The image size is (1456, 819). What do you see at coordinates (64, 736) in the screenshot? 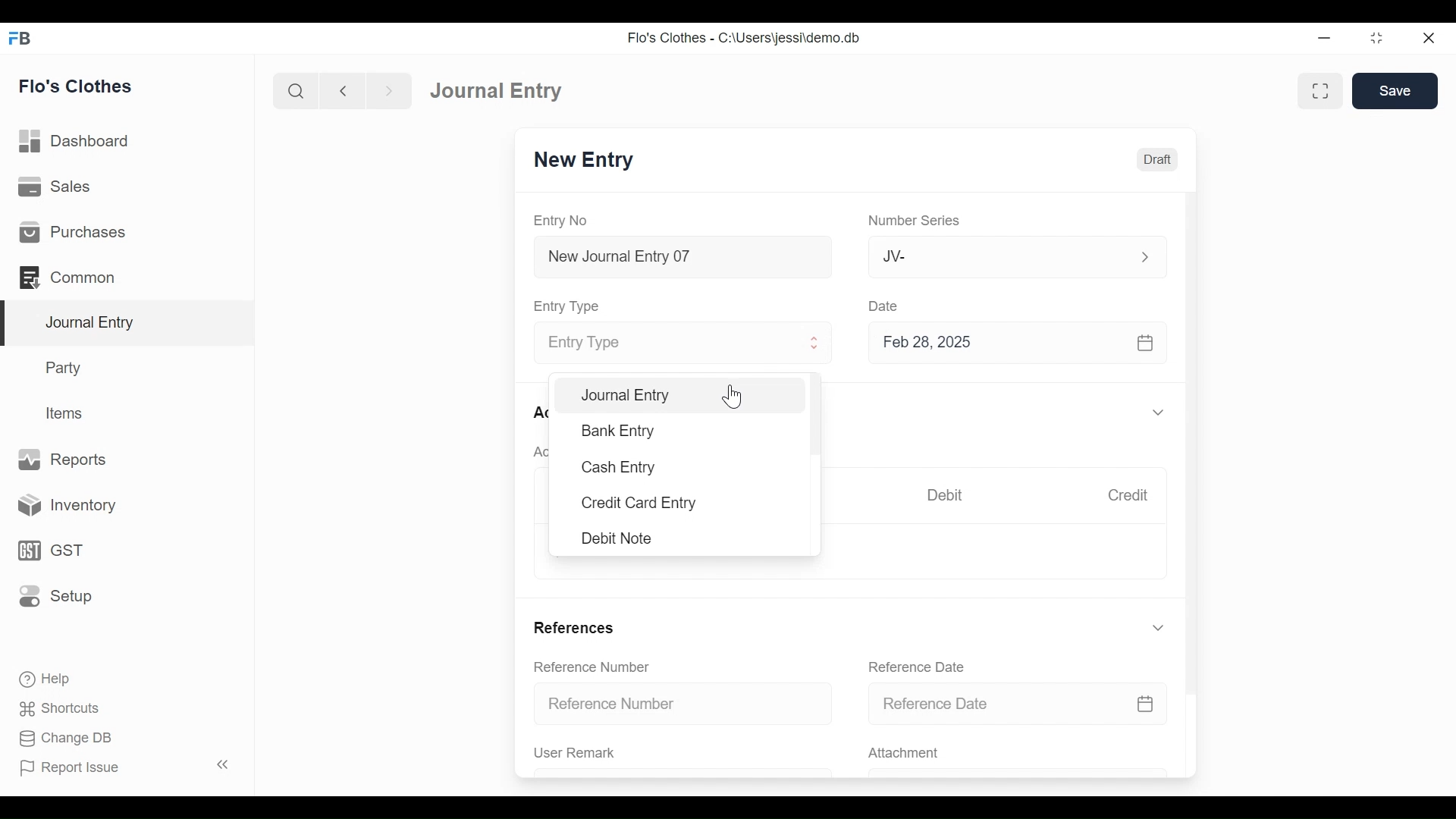
I see `Change DB` at bounding box center [64, 736].